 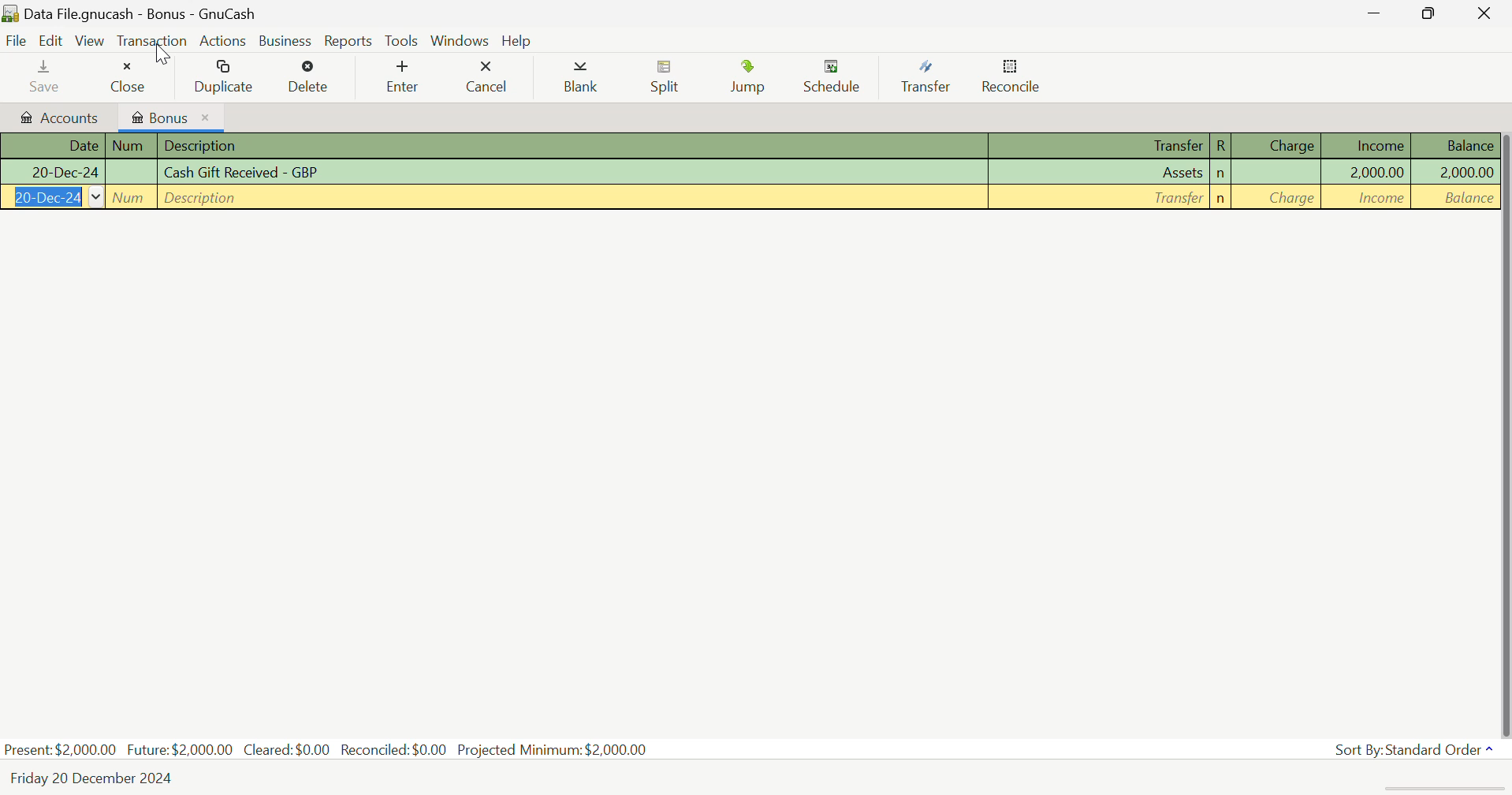 I want to click on Friday 20 december 2024, so click(x=99, y=778).